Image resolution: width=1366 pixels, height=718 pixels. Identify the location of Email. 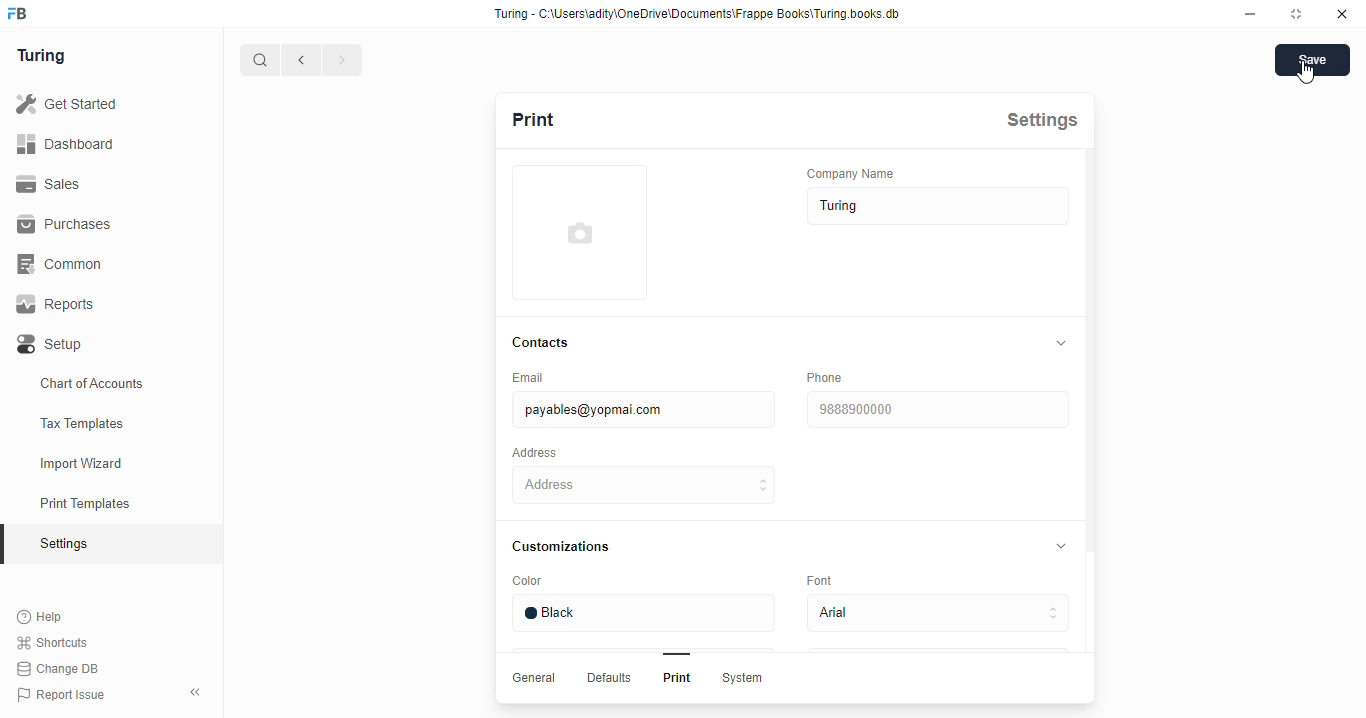
(537, 377).